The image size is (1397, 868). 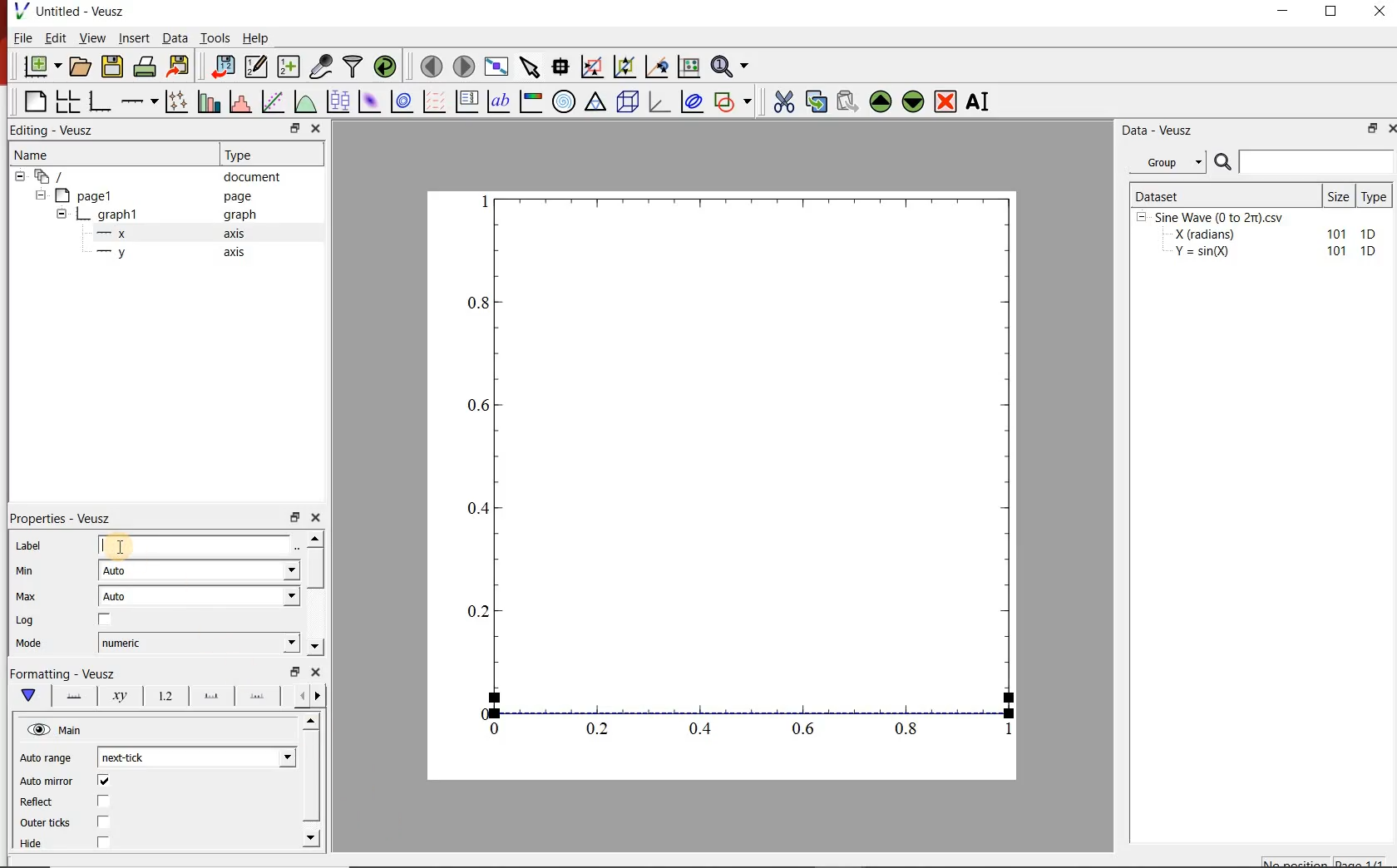 What do you see at coordinates (1282, 12) in the screenshot?
I see `Minimize` at bounding box center [1282, 12].